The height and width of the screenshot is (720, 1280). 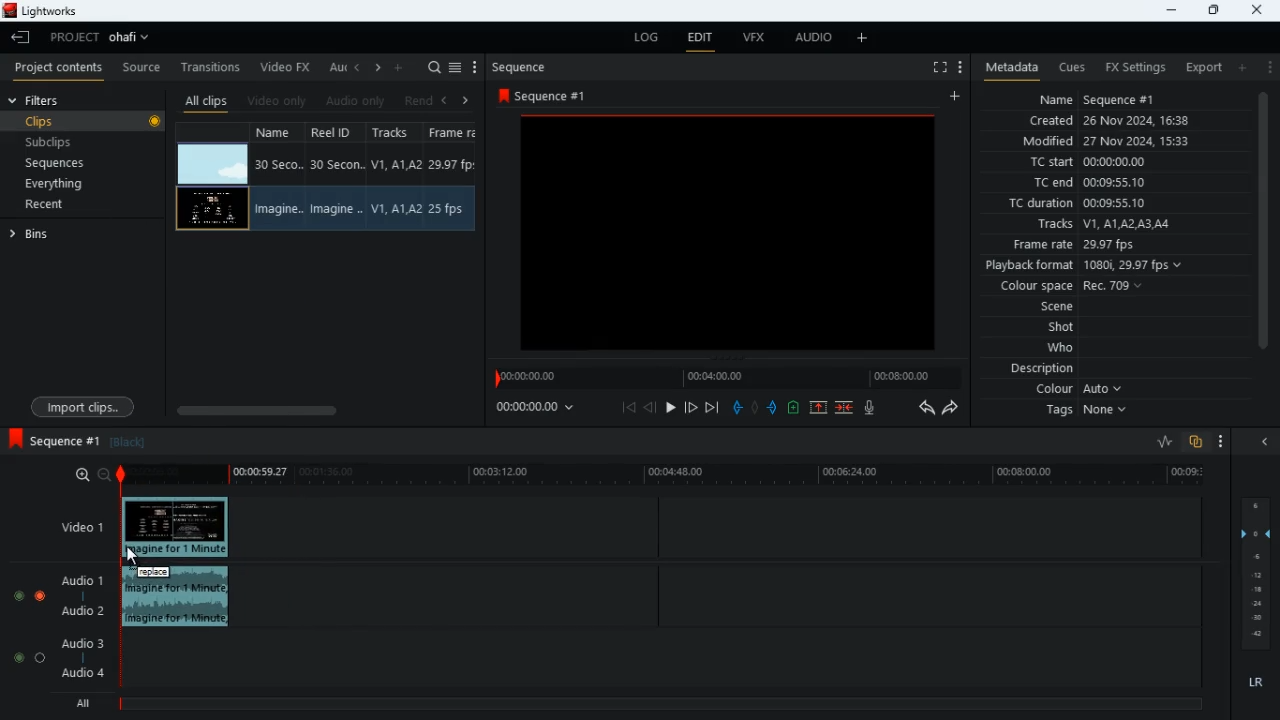 What do you see at coordinates (76, 142) in the screenshot?
I see `subclips` at bounding box center [76, 142].